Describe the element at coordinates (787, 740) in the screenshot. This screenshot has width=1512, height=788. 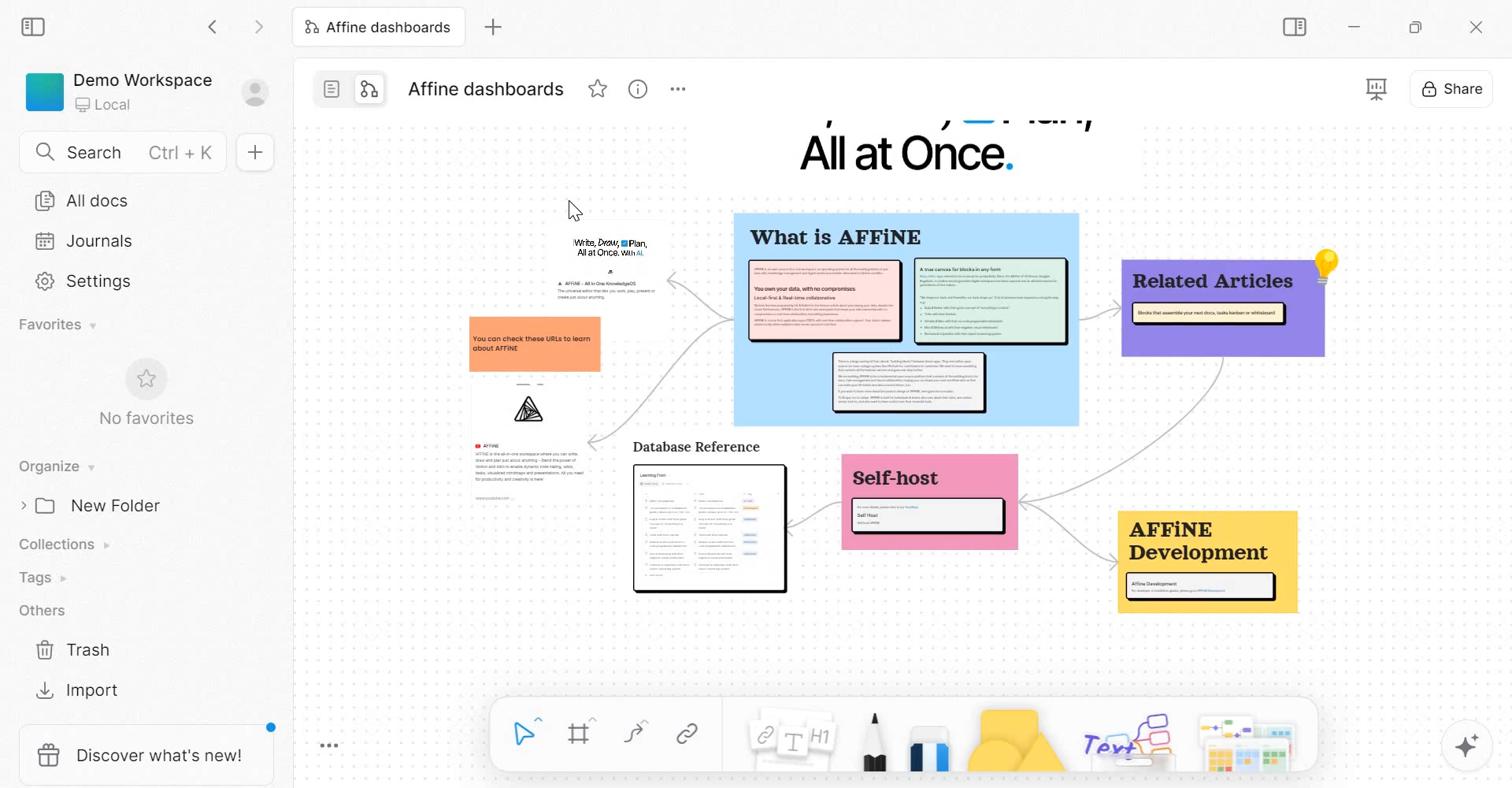
I see `Note` at that location.